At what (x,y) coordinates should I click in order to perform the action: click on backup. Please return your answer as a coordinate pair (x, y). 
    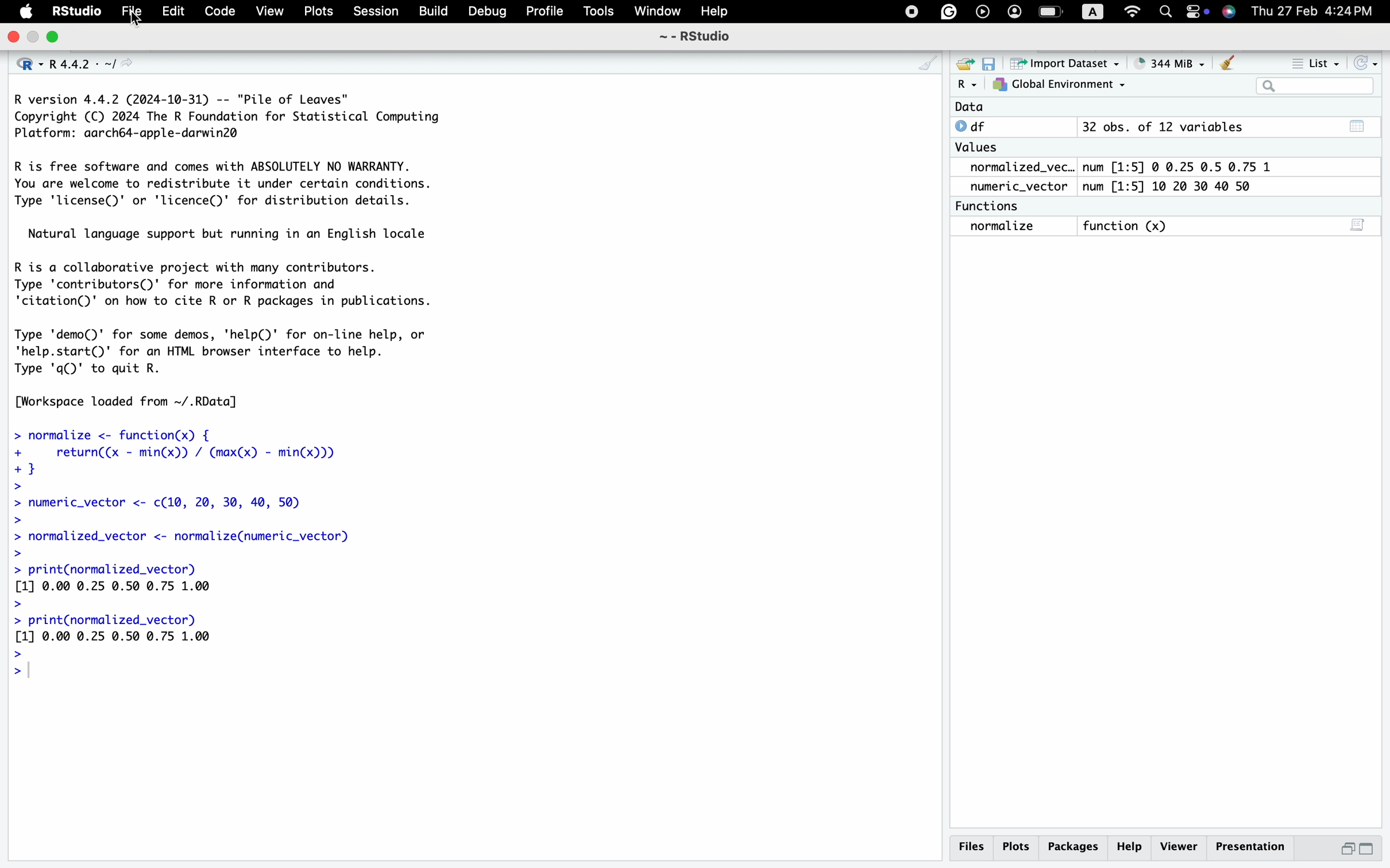
    Looking at the image, I should click on (980, 12).